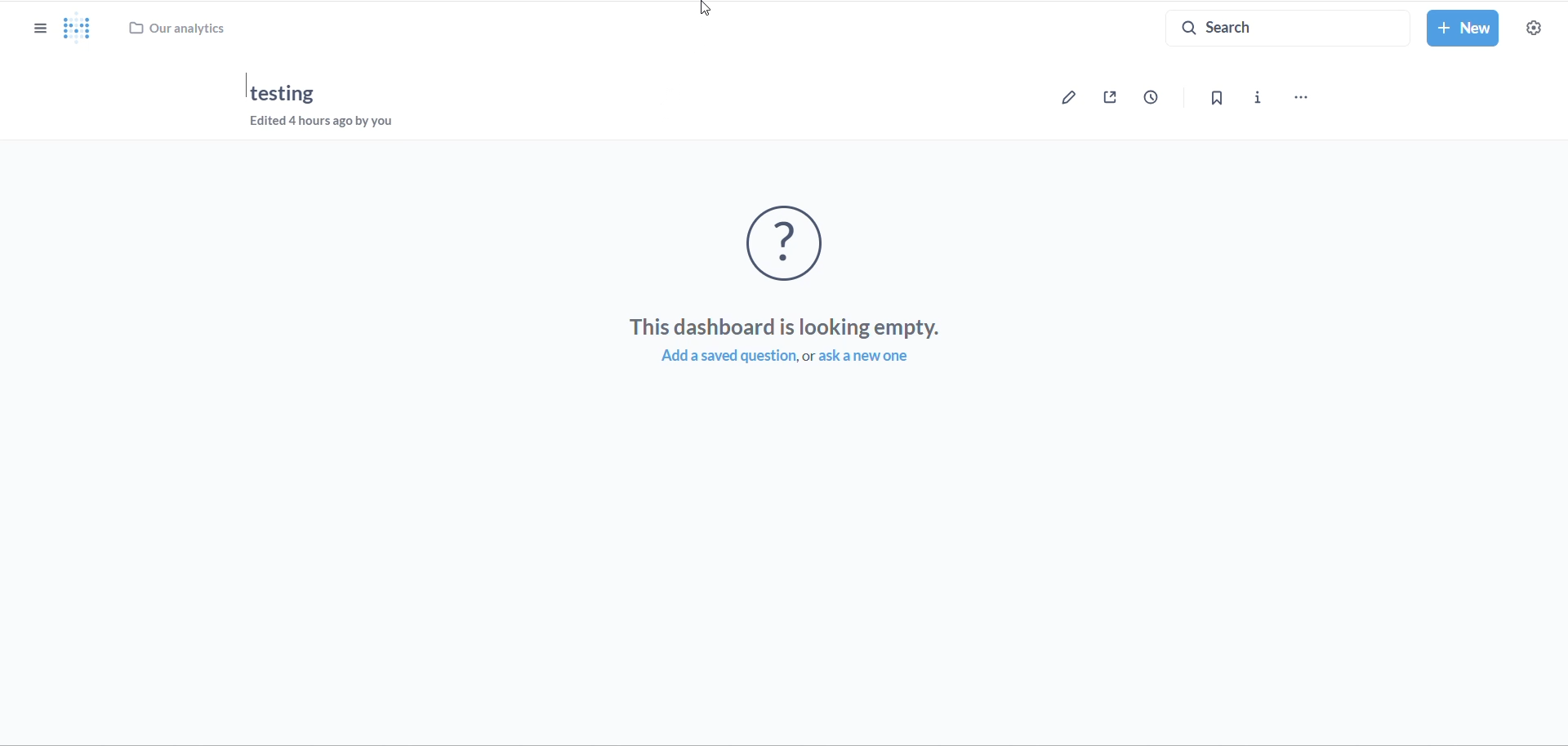 This screenshot has width=1568, height=746. I want to click on settings, so click(1540, 29).